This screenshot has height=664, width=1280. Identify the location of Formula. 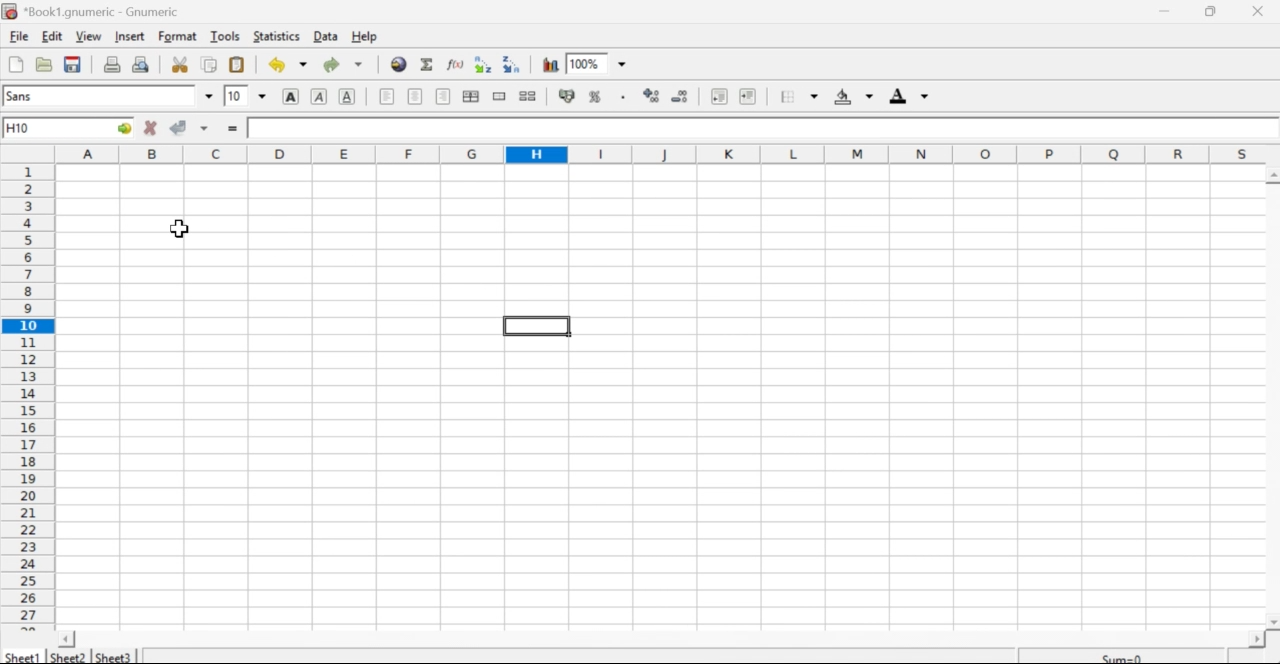
(455, 65).